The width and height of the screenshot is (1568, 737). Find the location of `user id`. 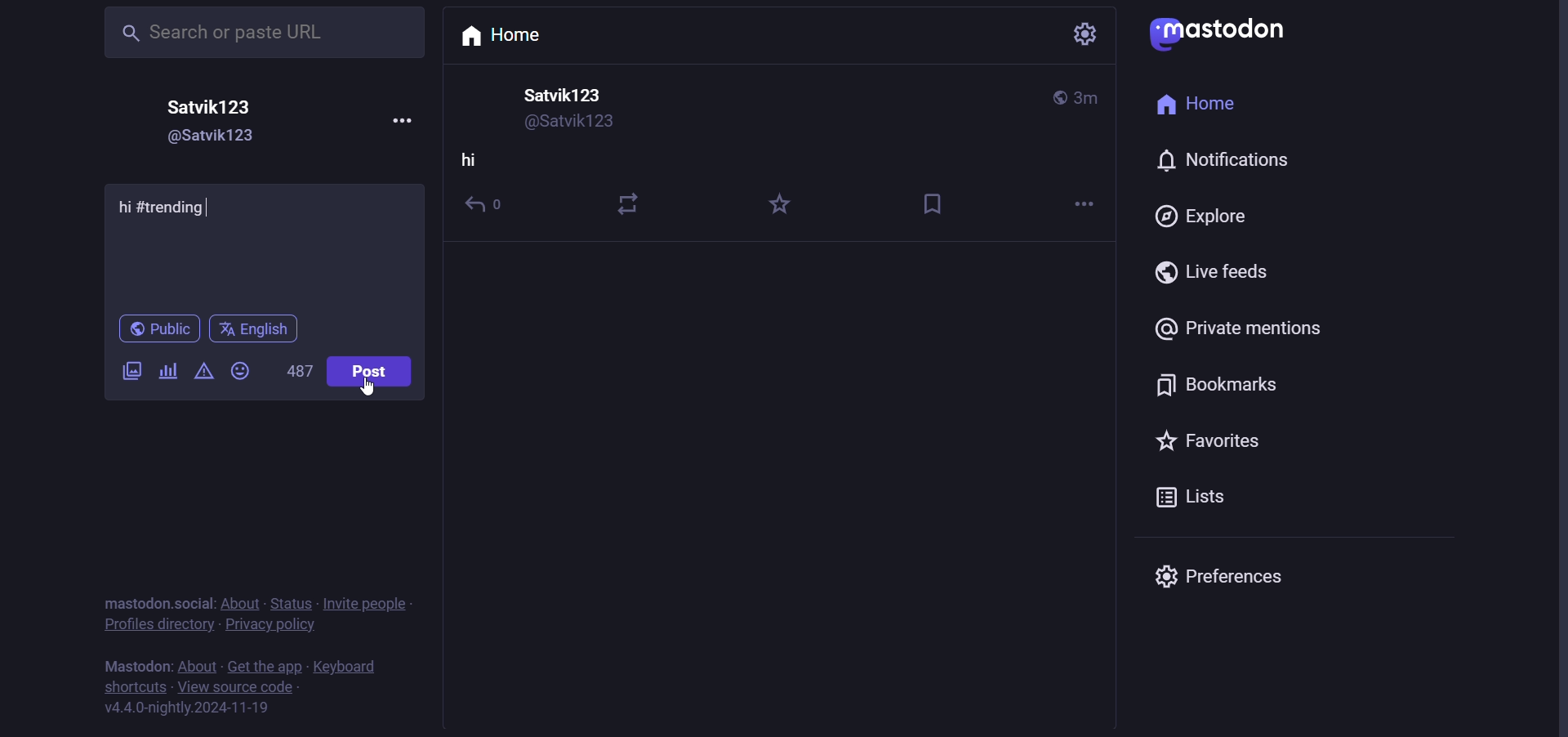

user id is located at coordinates (575, 123).